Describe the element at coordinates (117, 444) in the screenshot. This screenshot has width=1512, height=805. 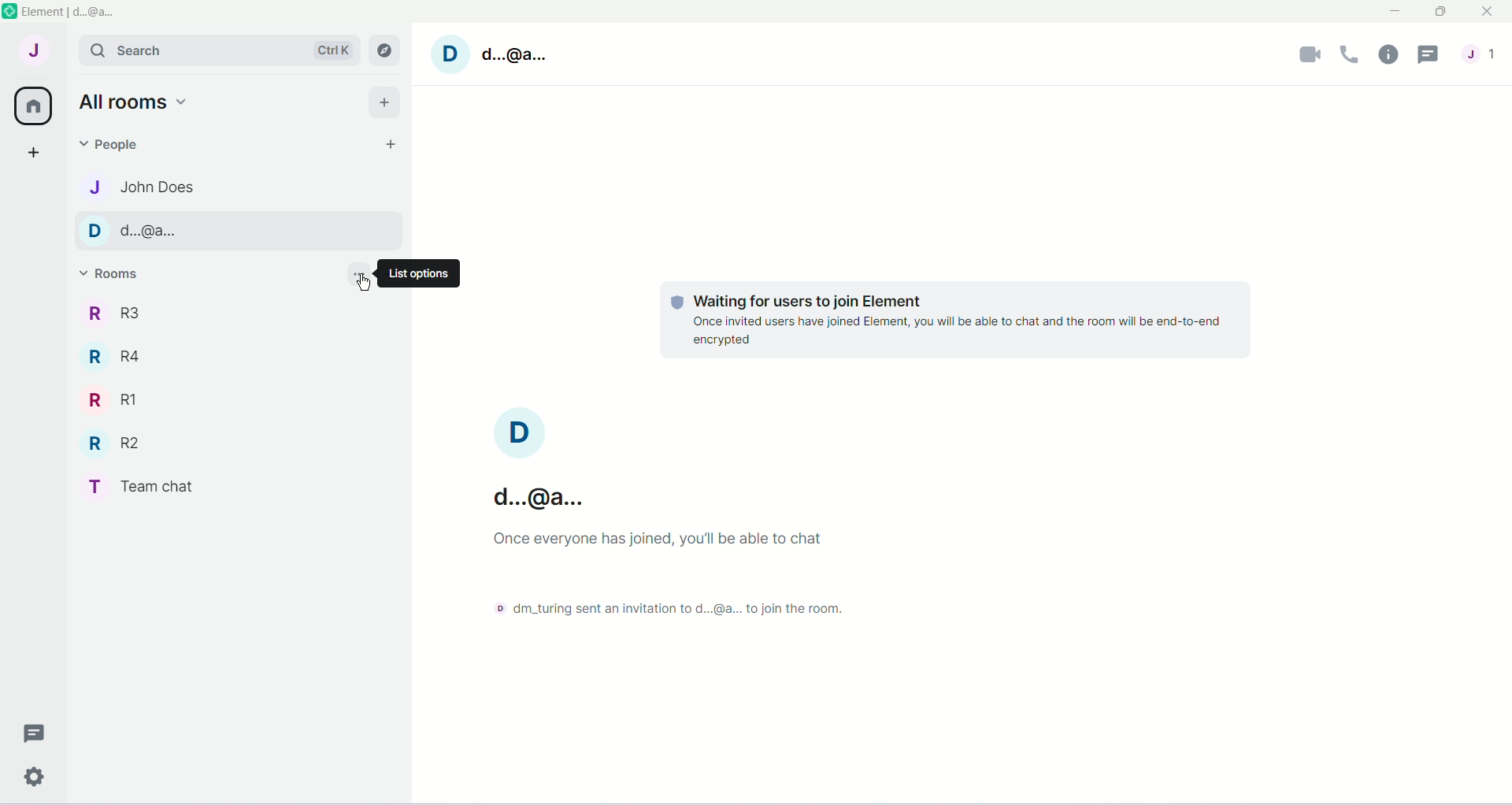
I see `Room Name-r2` at that location.